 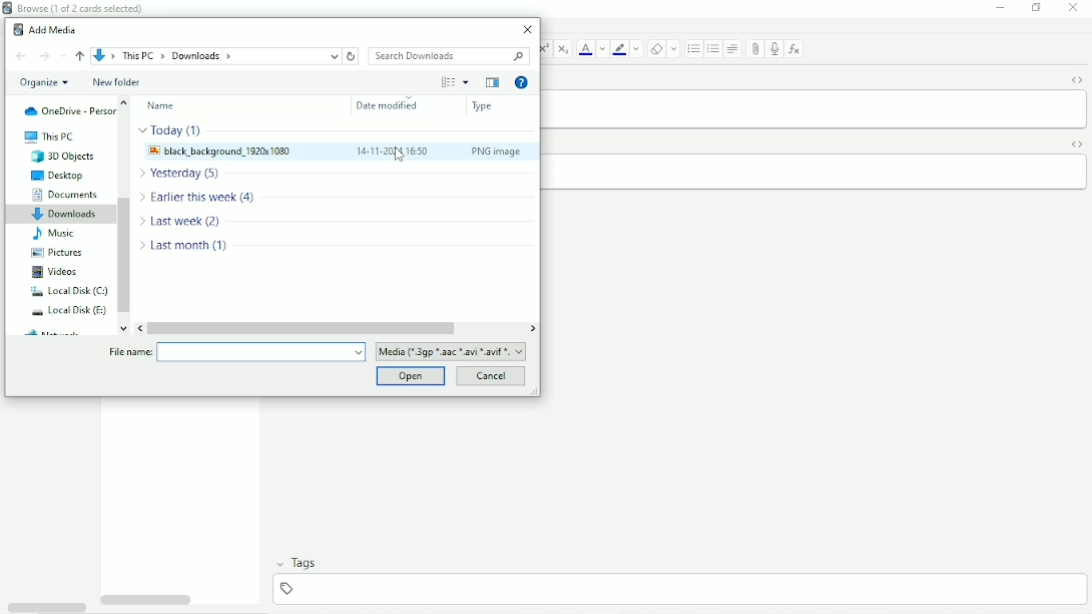 What do you see at coordinates (304, 562) in the screenshot?
I see `Tags` at bounding box center [304, 562].